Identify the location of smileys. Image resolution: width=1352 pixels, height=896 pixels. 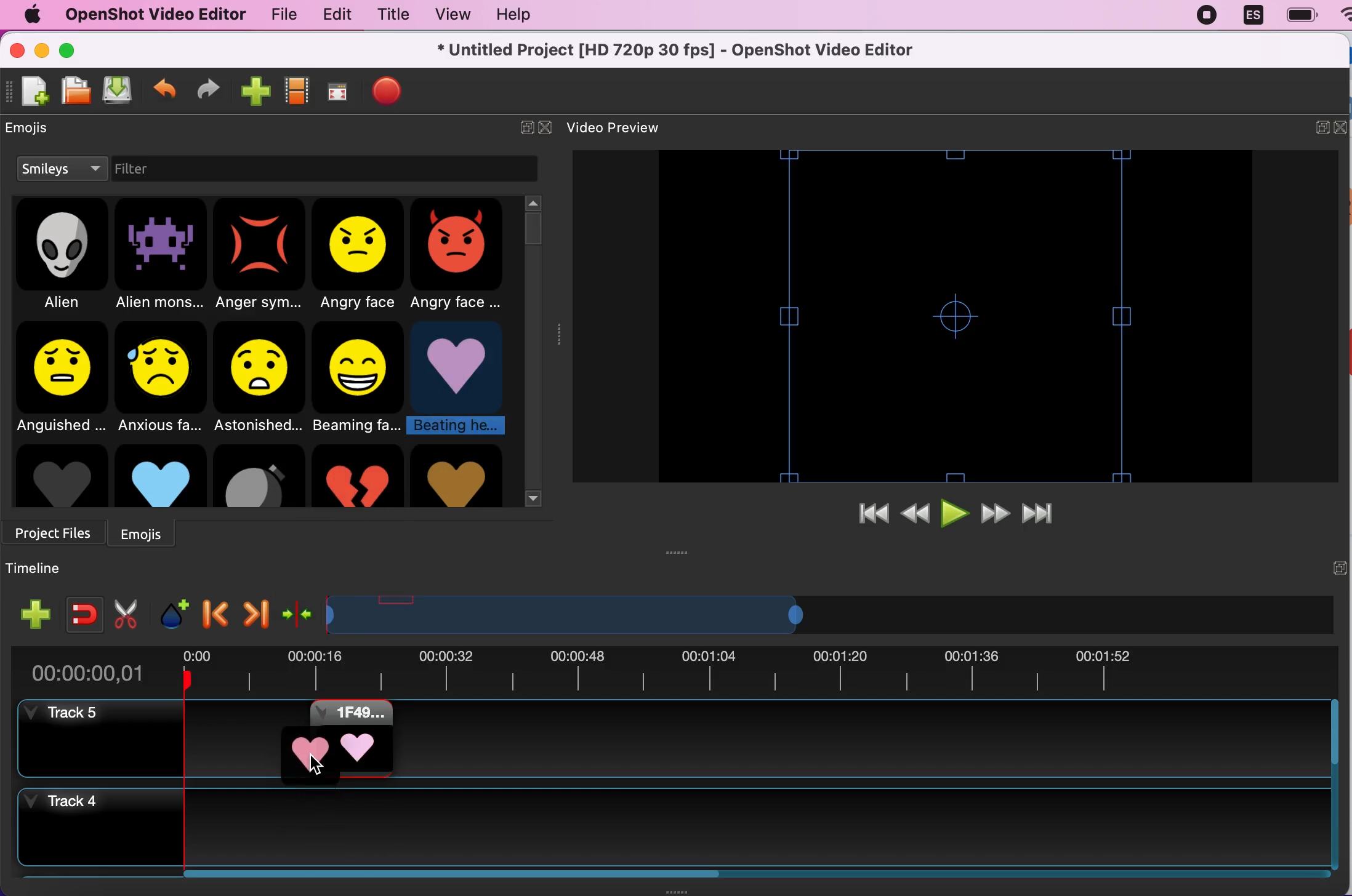
(61, 170).